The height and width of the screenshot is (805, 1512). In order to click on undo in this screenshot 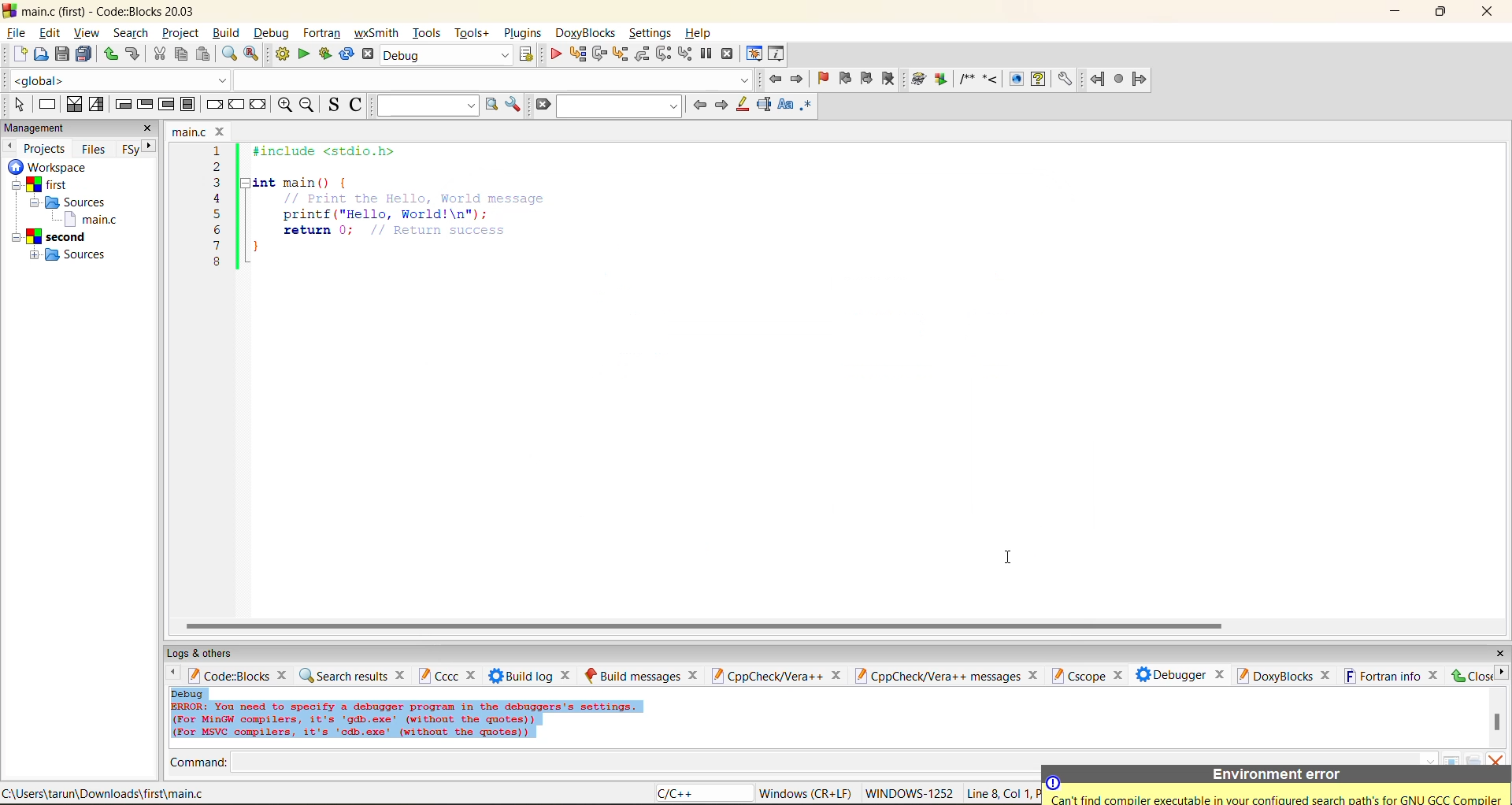, I will do `click(131, 54)`.